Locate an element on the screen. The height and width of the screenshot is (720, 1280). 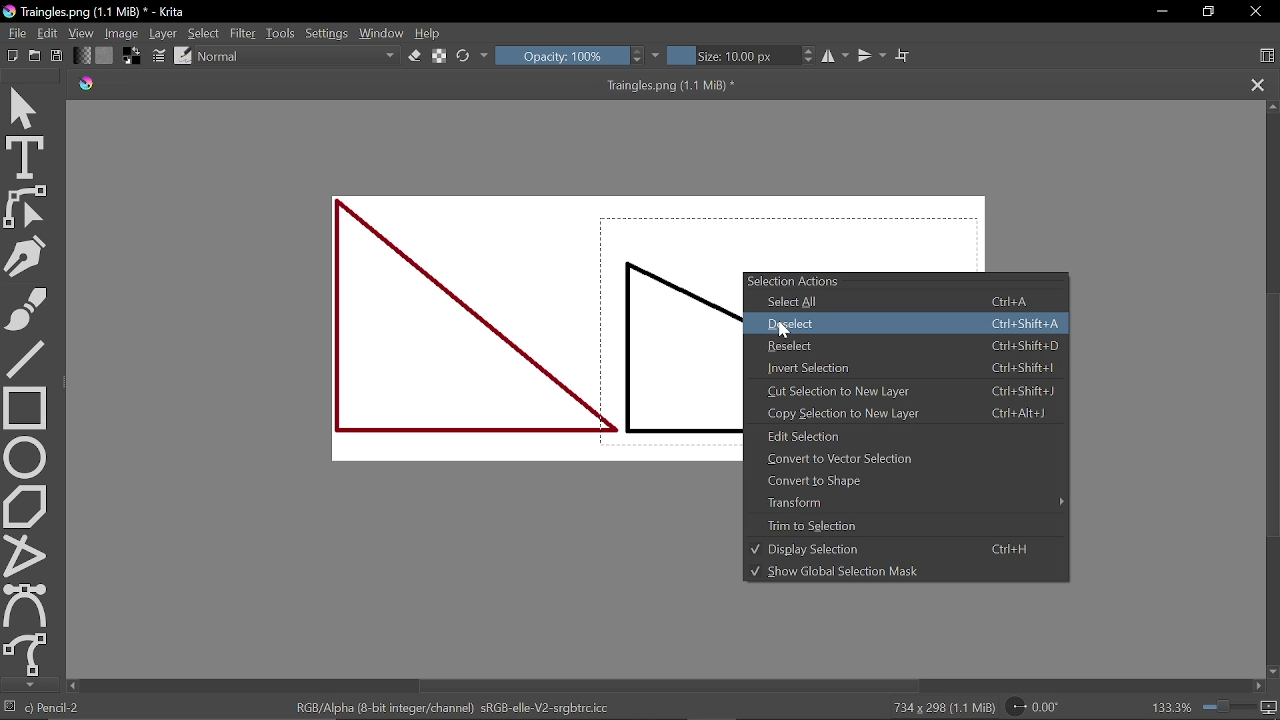
Filter is located at coordinates (245, 32).